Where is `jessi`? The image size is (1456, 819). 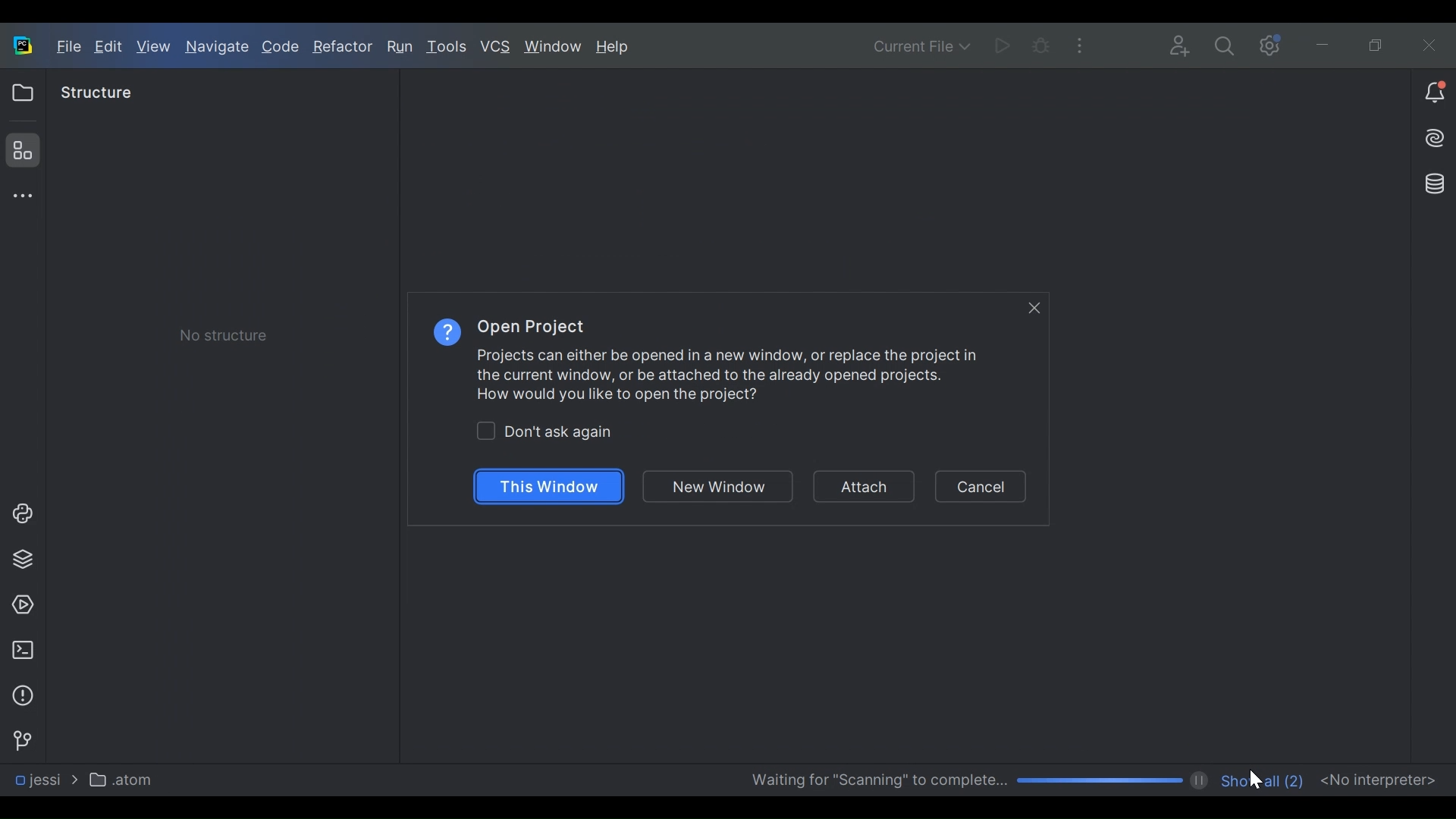 jessi is located at coordinates (40, 781).